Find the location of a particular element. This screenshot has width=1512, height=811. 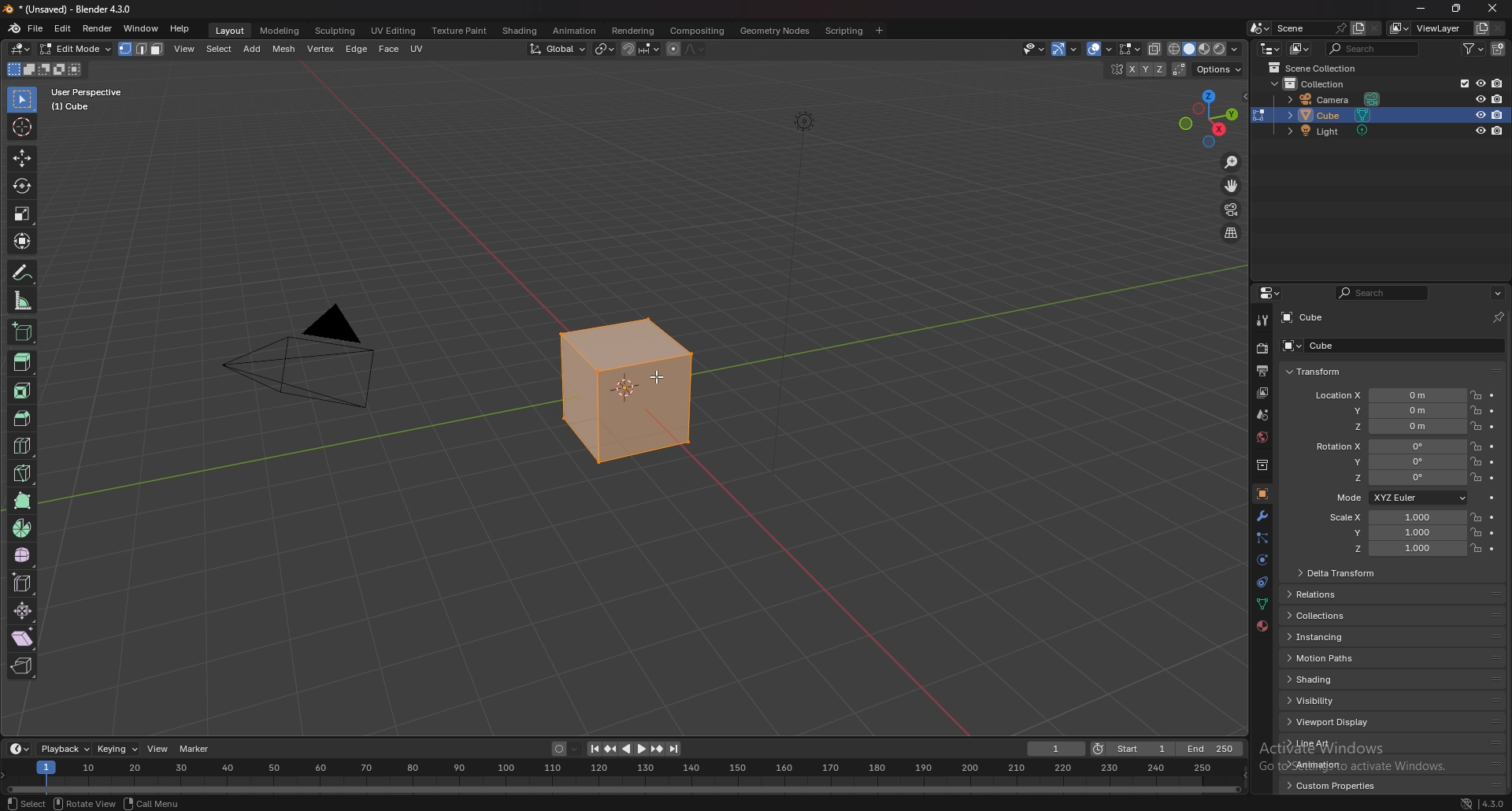

scripting is located at coordinates (846, 31).